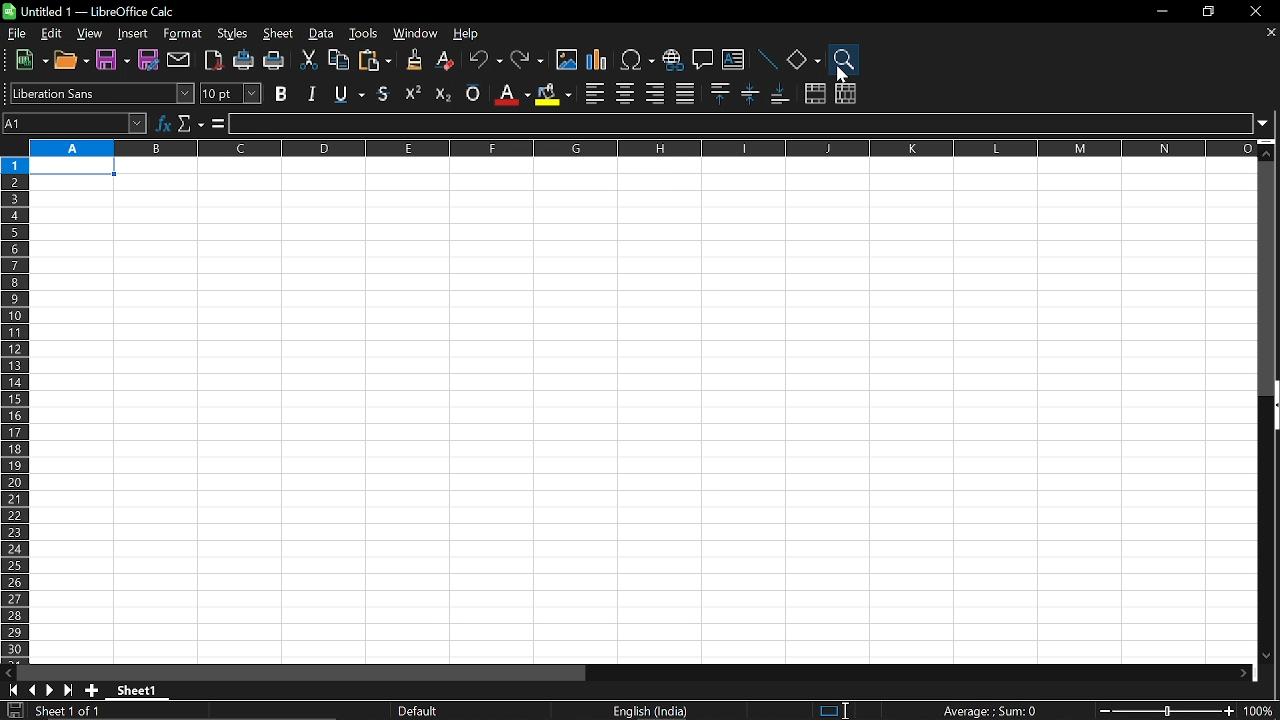 Image resolution: width=1280 pixels, height=720 pixels. What do you see at coordinates (468, 36) in the screenshot?
I see `help` at bounding box center [468, 36].